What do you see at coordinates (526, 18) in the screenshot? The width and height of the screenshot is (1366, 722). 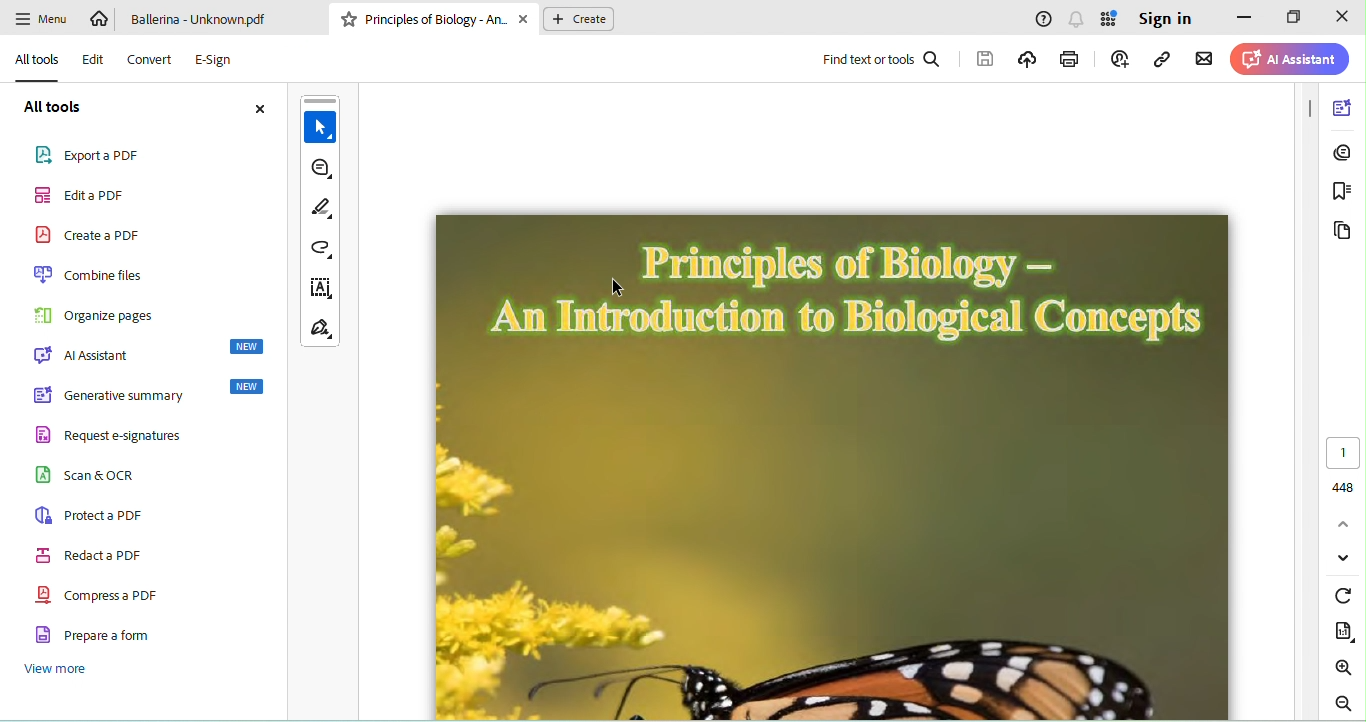 I see `close` at bounding box center [526, 18].